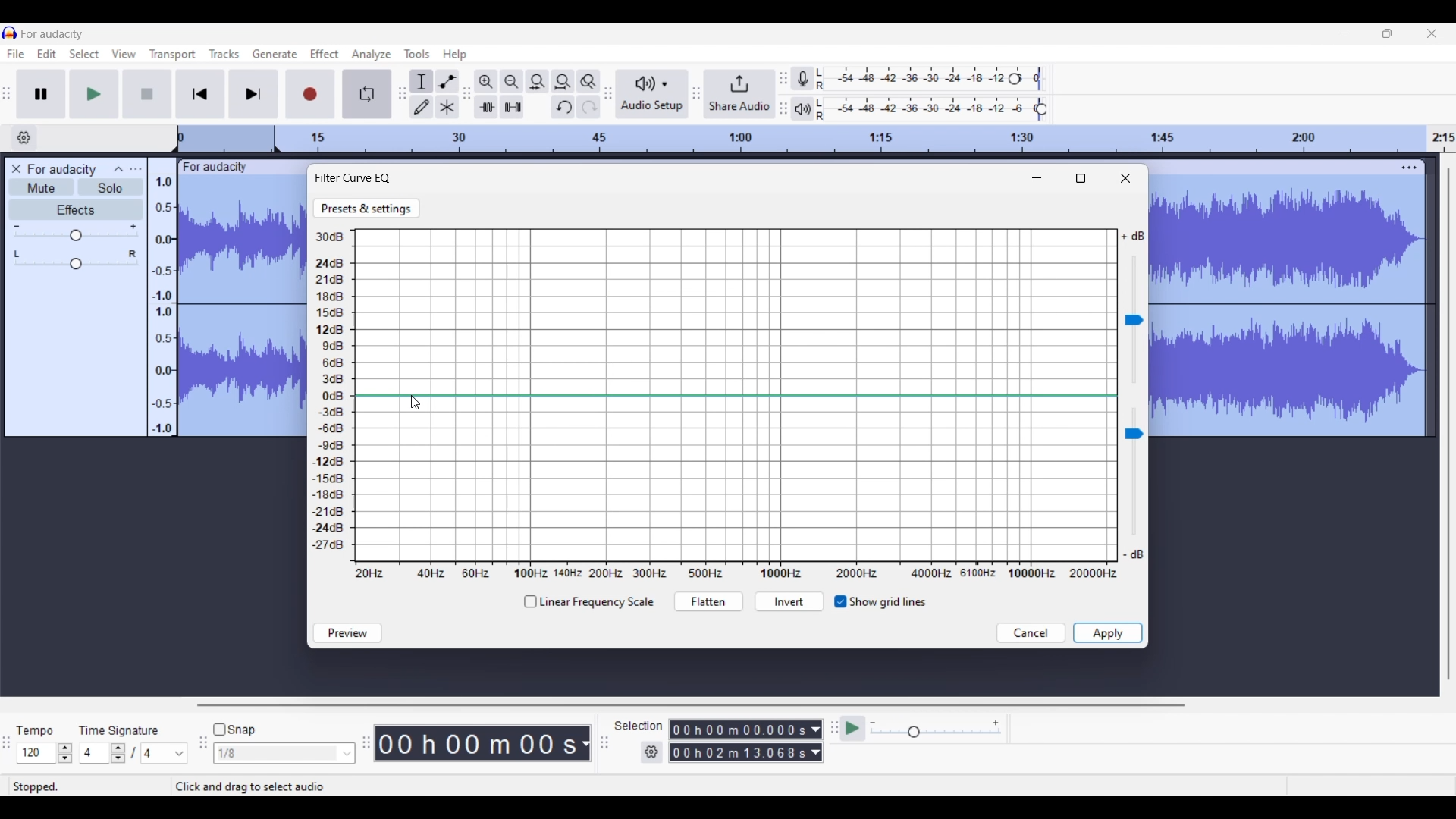 The image size is (1456, 819). I want to click on Max. gain, so click(133, 227).